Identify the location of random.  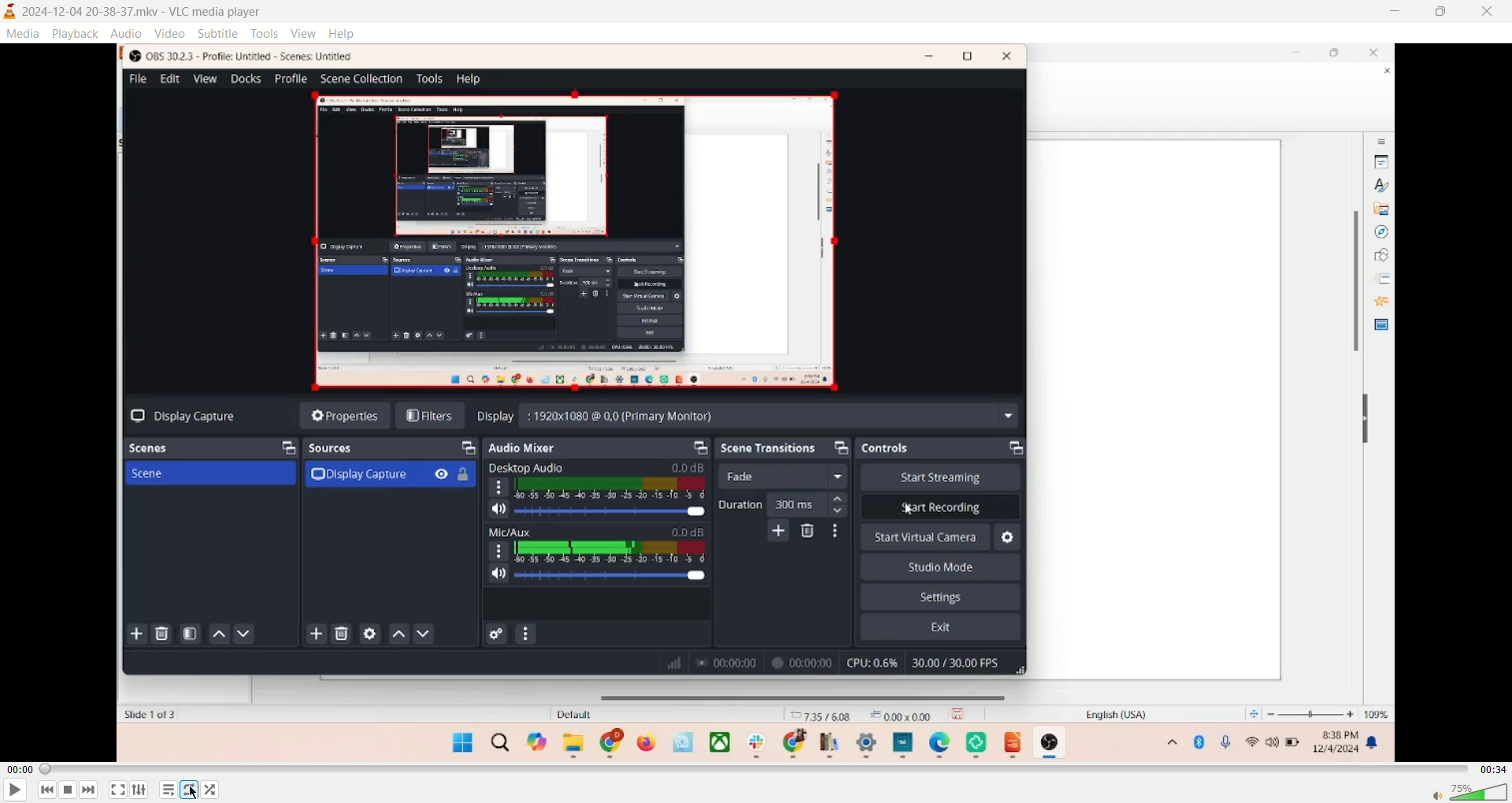
(210, 789).